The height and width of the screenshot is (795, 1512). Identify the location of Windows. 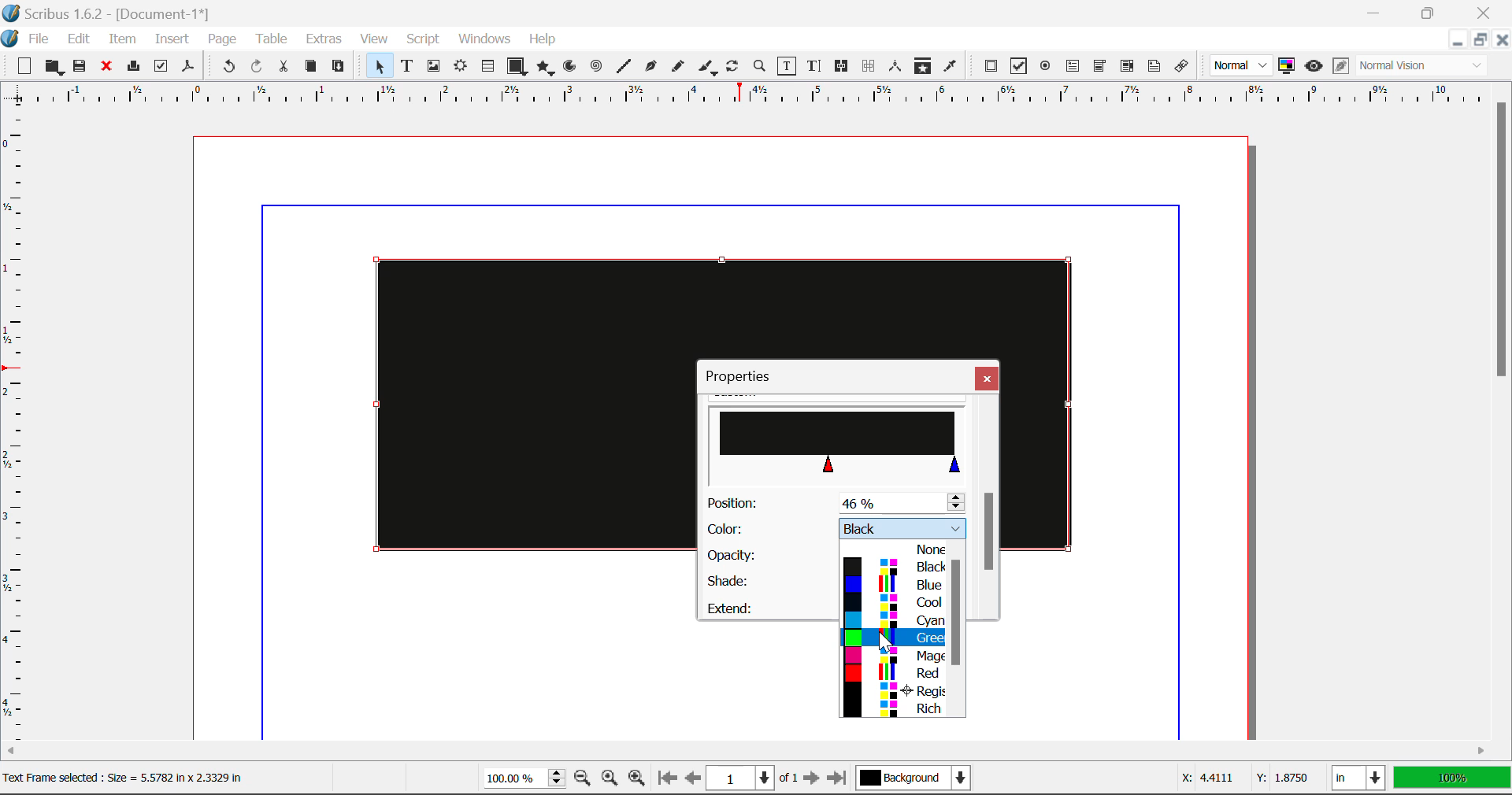
(483, 39).